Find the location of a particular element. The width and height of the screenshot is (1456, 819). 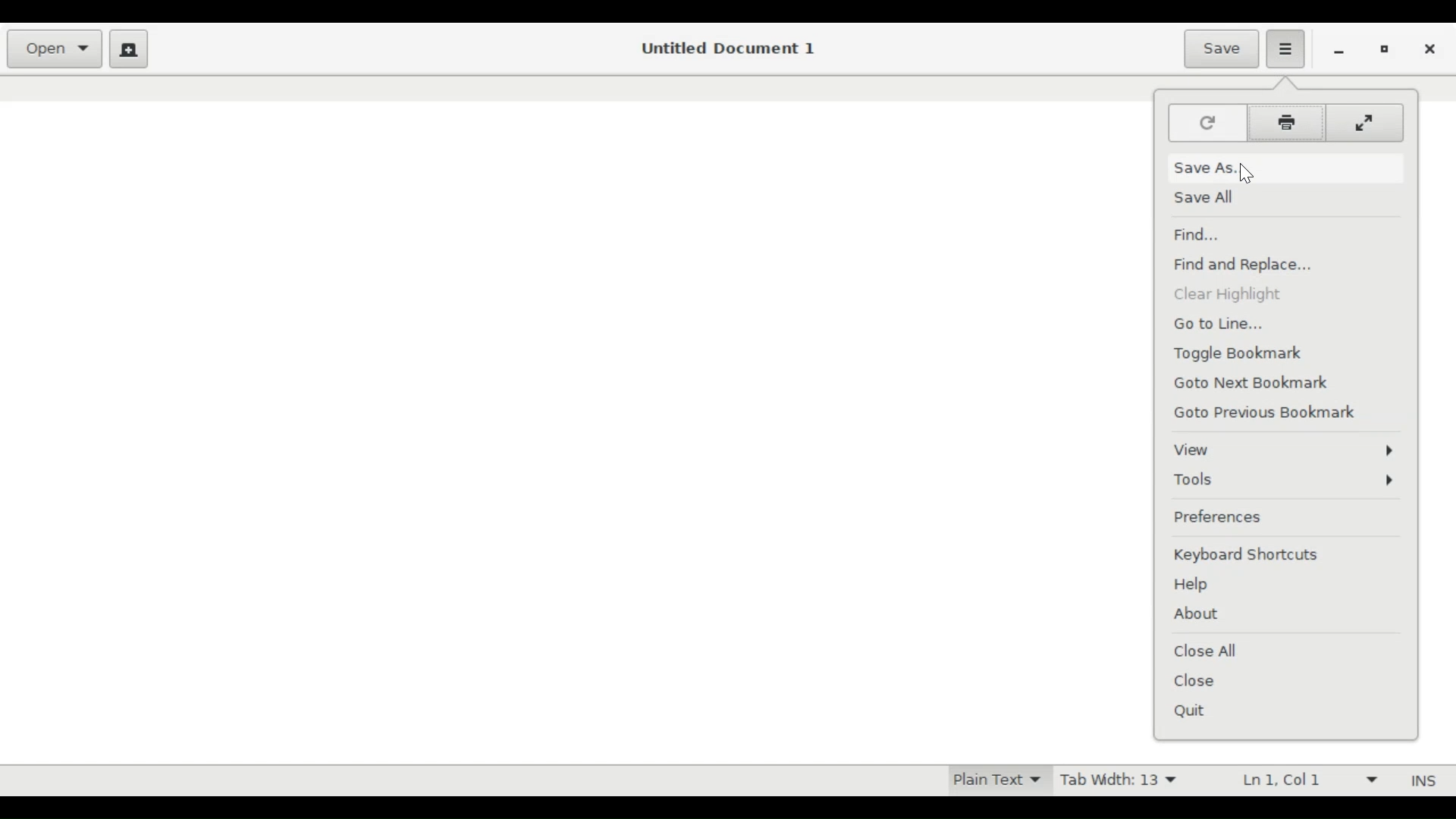

Clear Highlight is located at coordinates (1237, 296).